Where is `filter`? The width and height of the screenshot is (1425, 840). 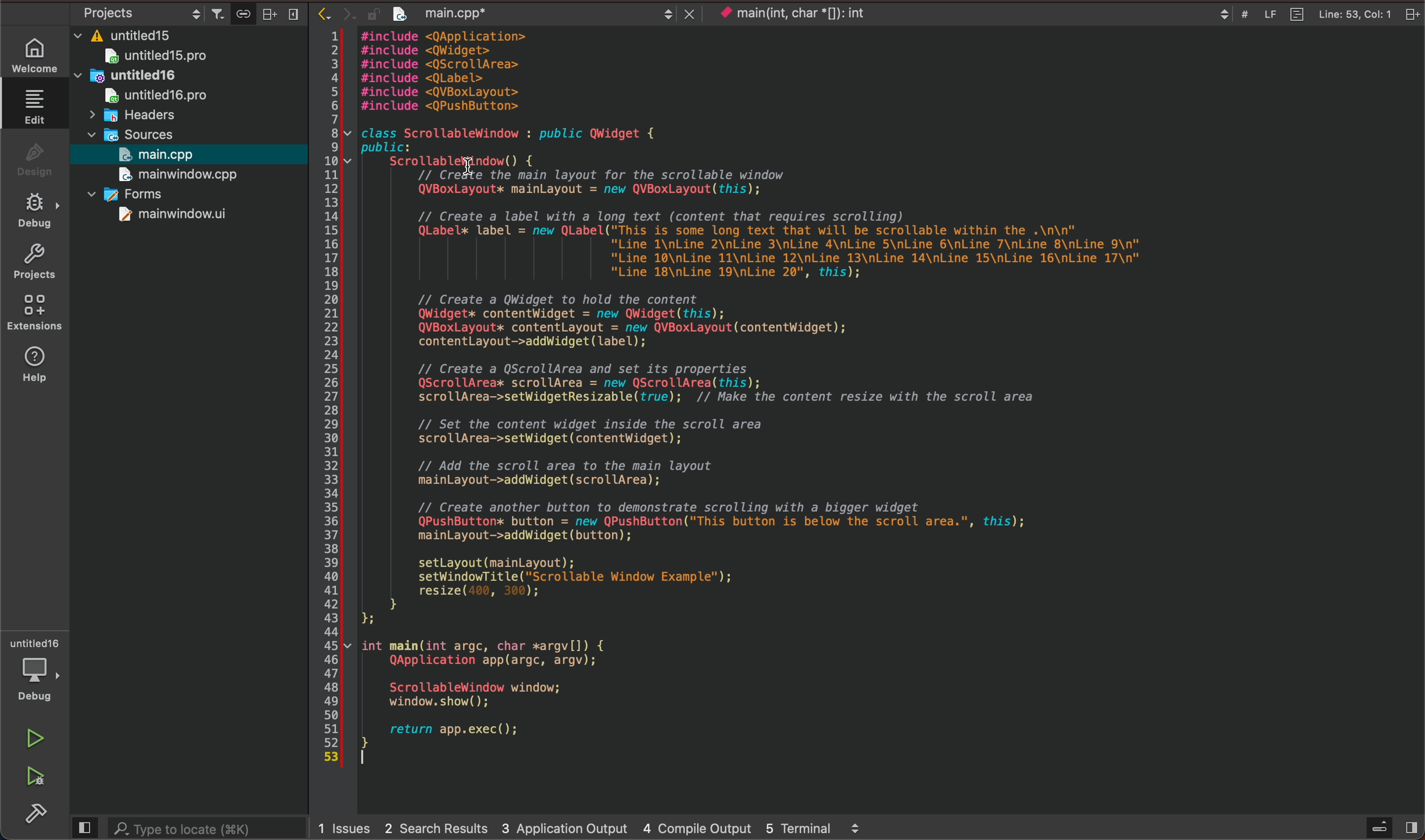 filter is located at coordinates (219, 14).